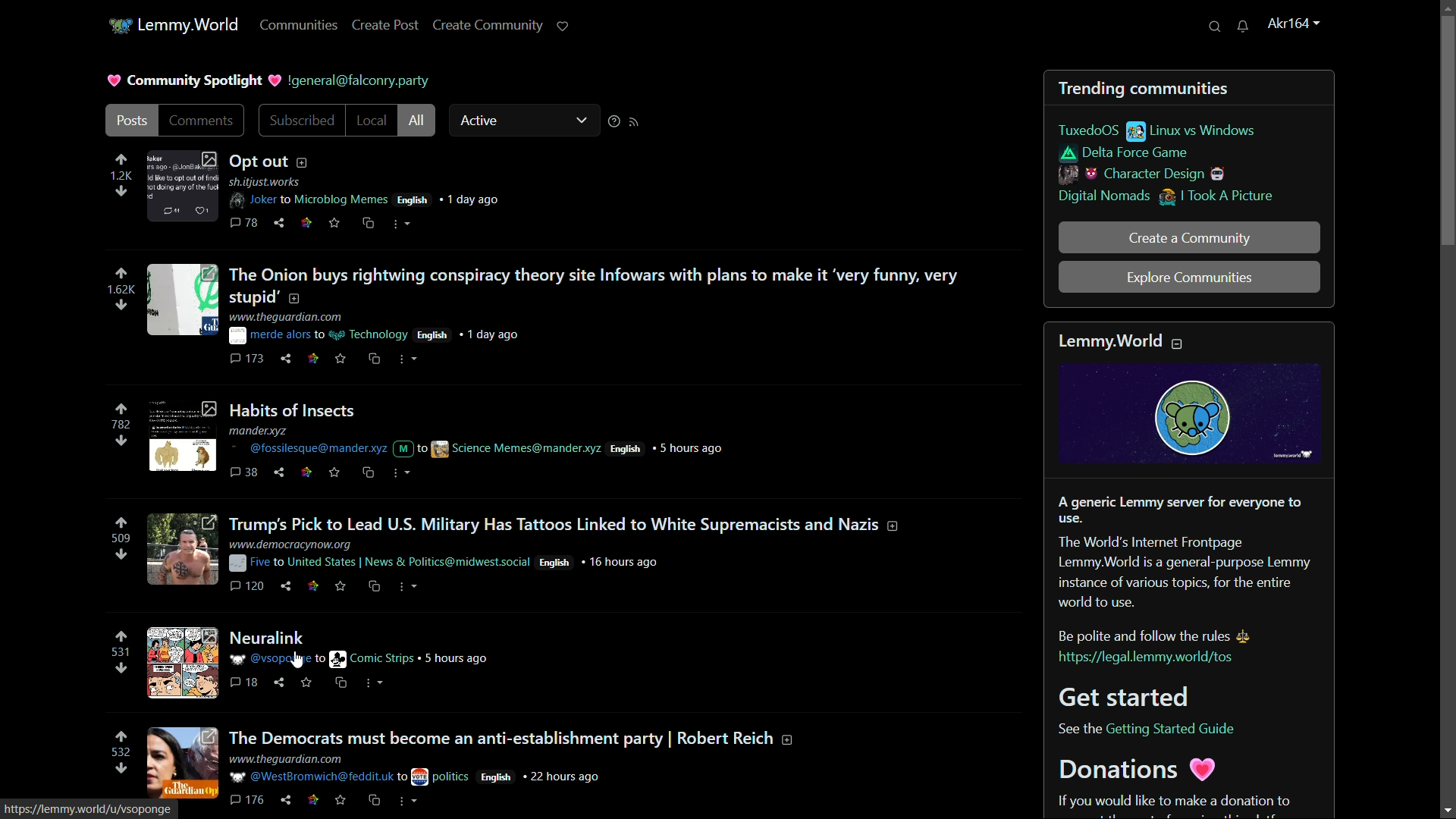 The image size is (1456, 819). What do you see at coordinates (303, 661) in the screenshot?
I see `cursor` at bounding box center [303, 661].